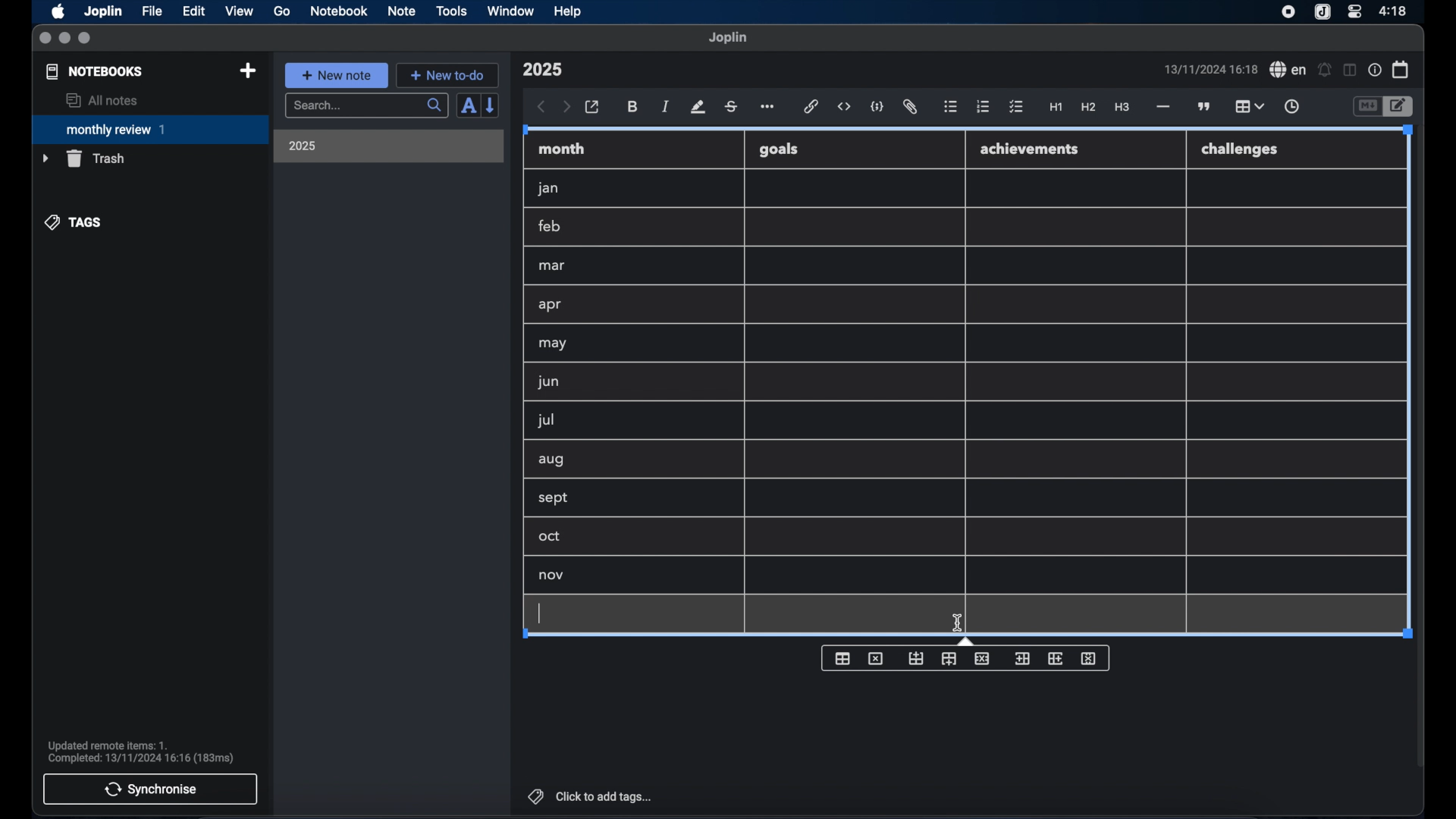 The image size is (1456, 819). I want to click on sept, so click(554, 499).